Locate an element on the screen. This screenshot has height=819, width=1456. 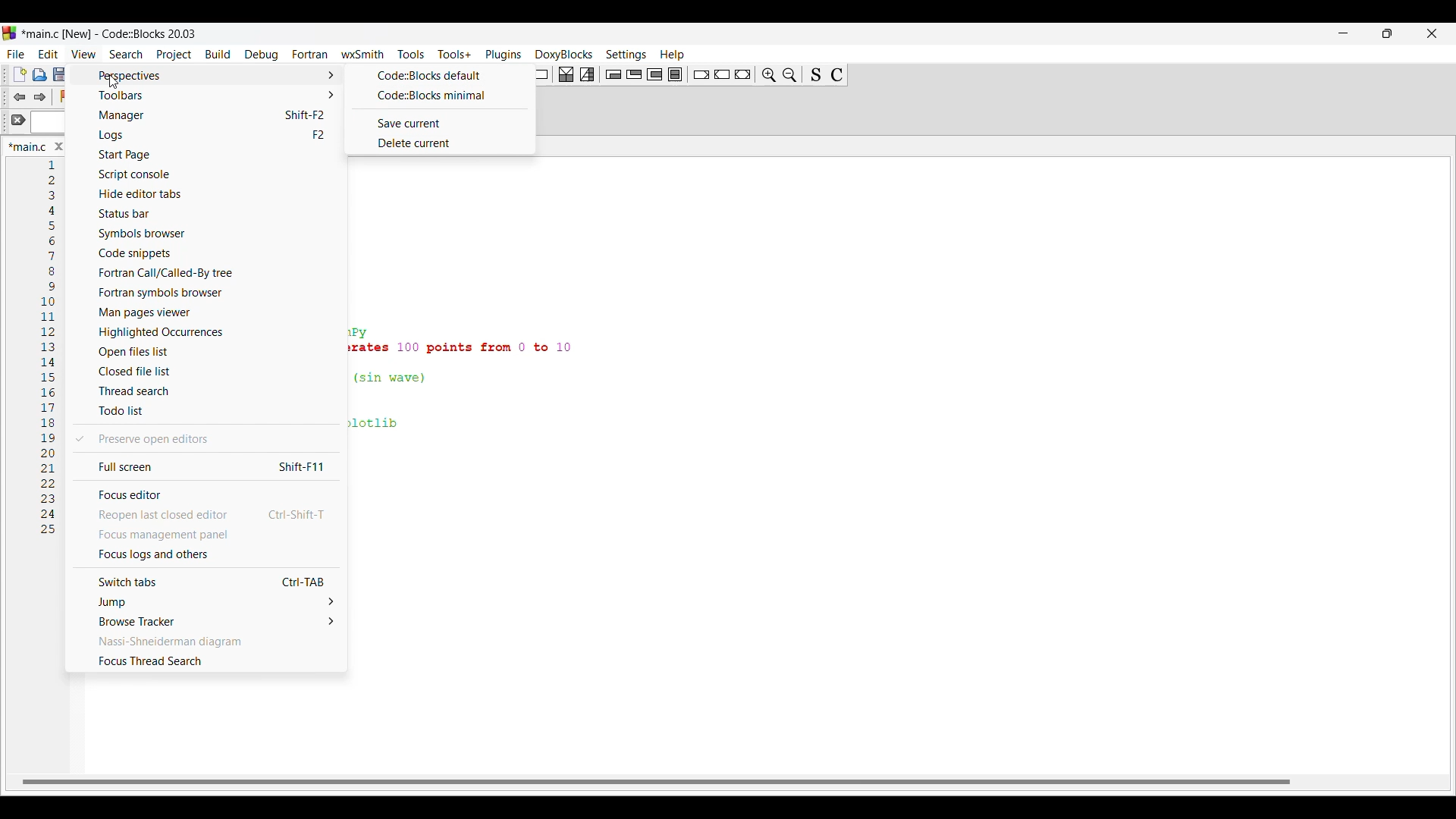
Default view is located at coordinates (438, 75).